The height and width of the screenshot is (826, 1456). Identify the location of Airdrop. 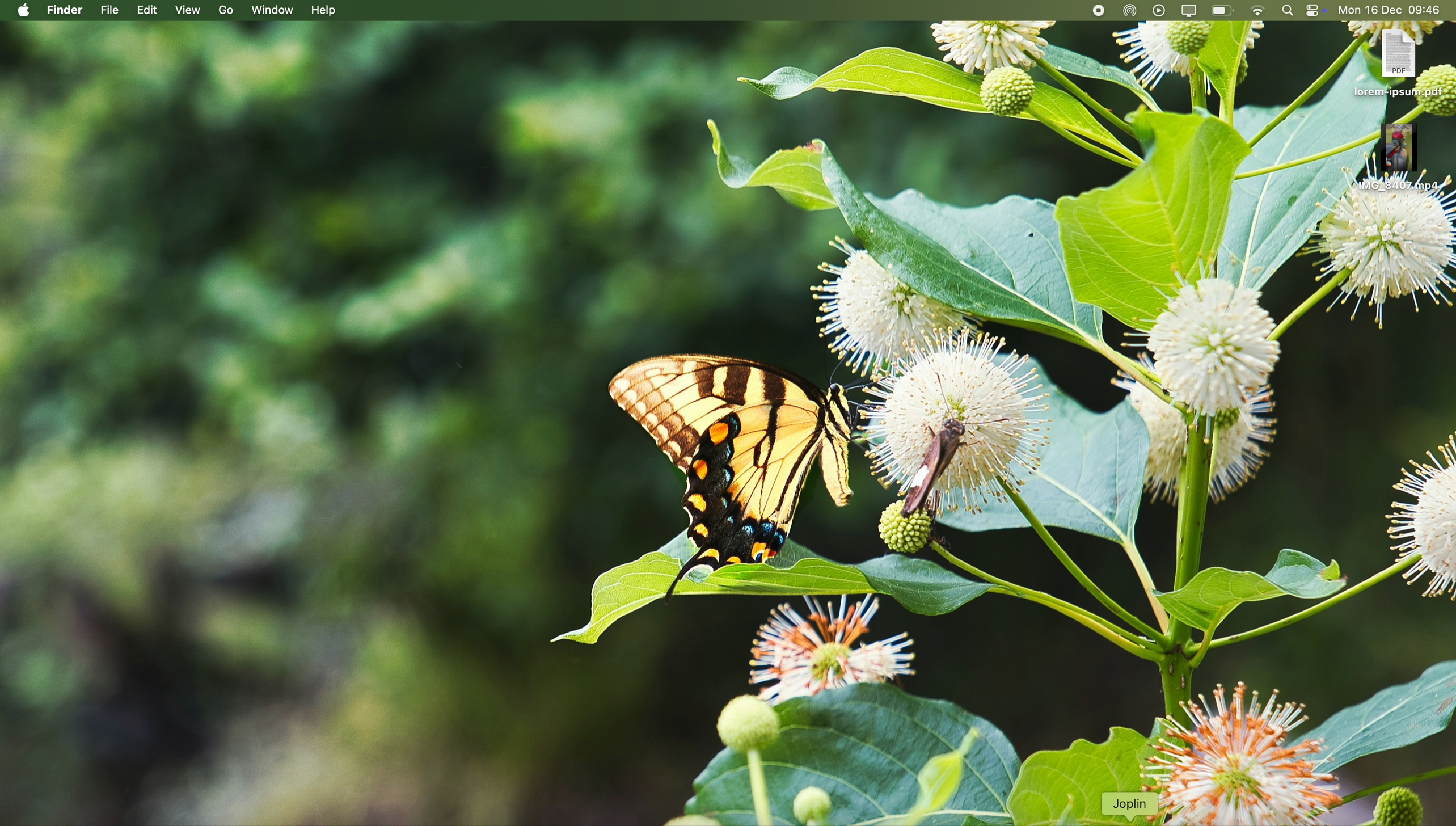
(1133, 11).